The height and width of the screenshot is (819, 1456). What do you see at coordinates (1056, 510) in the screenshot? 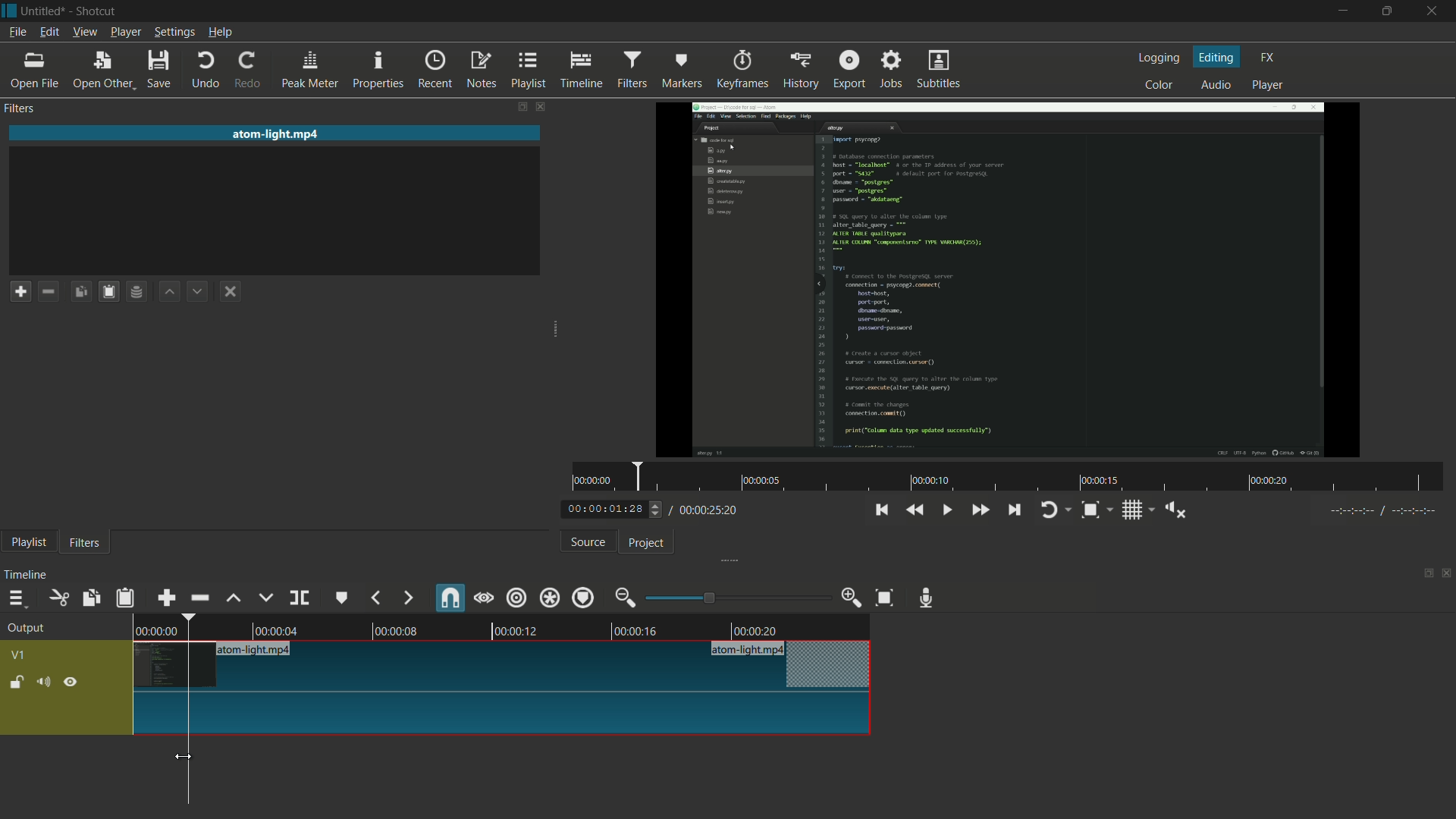
I see `toggle player looping` at bounding box center [1056, 510].